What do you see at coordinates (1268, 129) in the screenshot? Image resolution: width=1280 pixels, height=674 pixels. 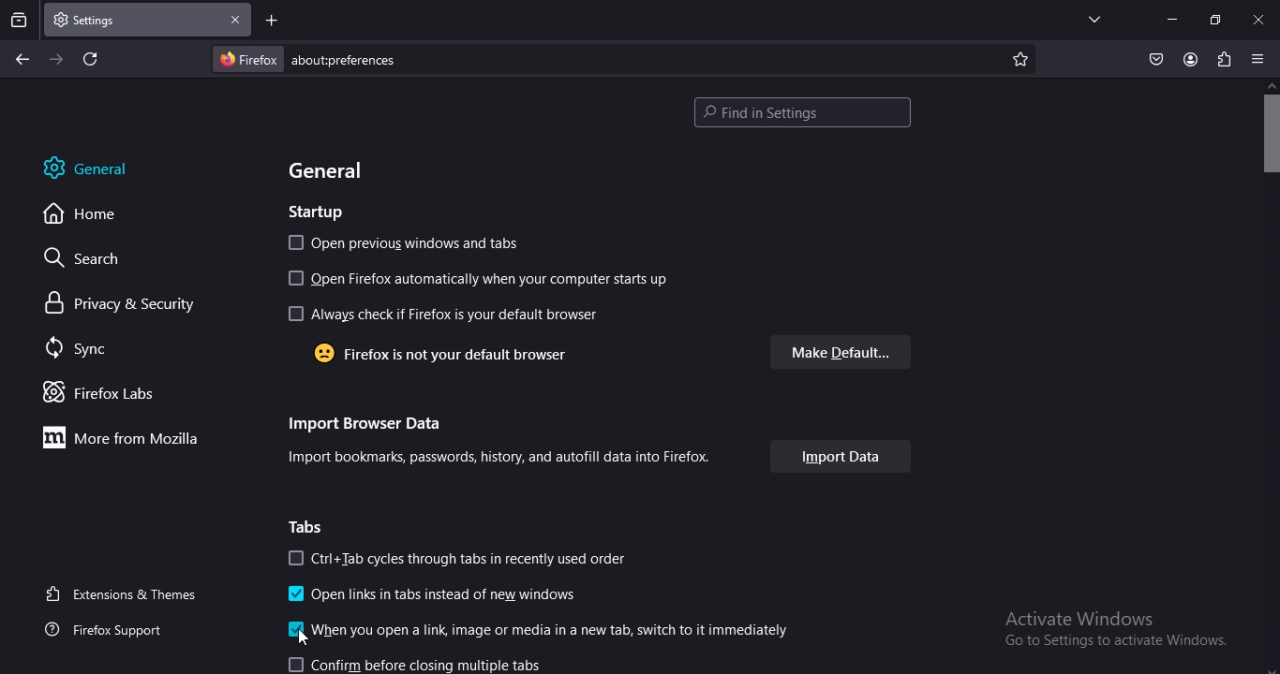 I see `scrollbar` at bounding box center [1268, 129].